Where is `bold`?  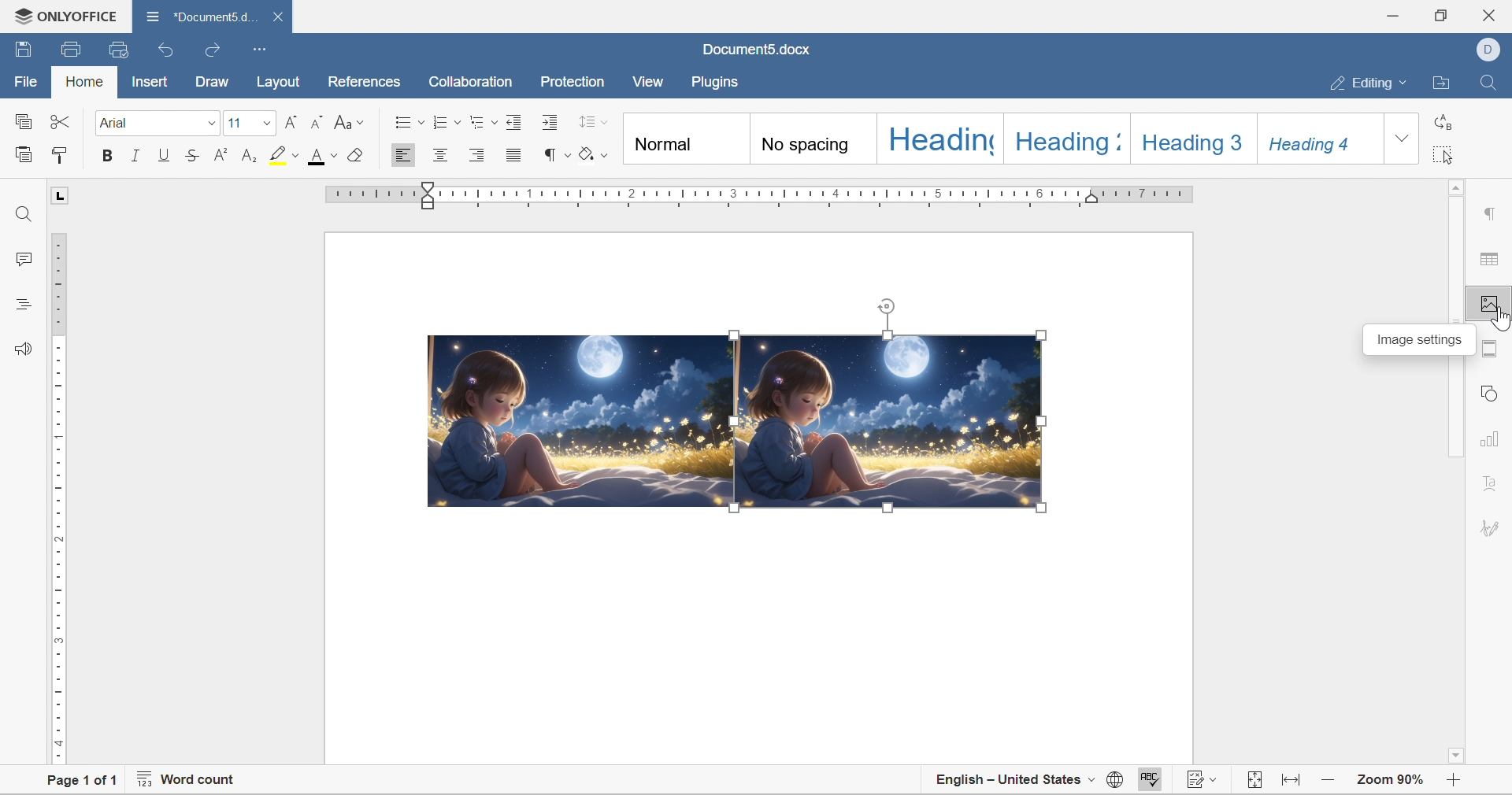 bold is located at coordinates (107, 155).